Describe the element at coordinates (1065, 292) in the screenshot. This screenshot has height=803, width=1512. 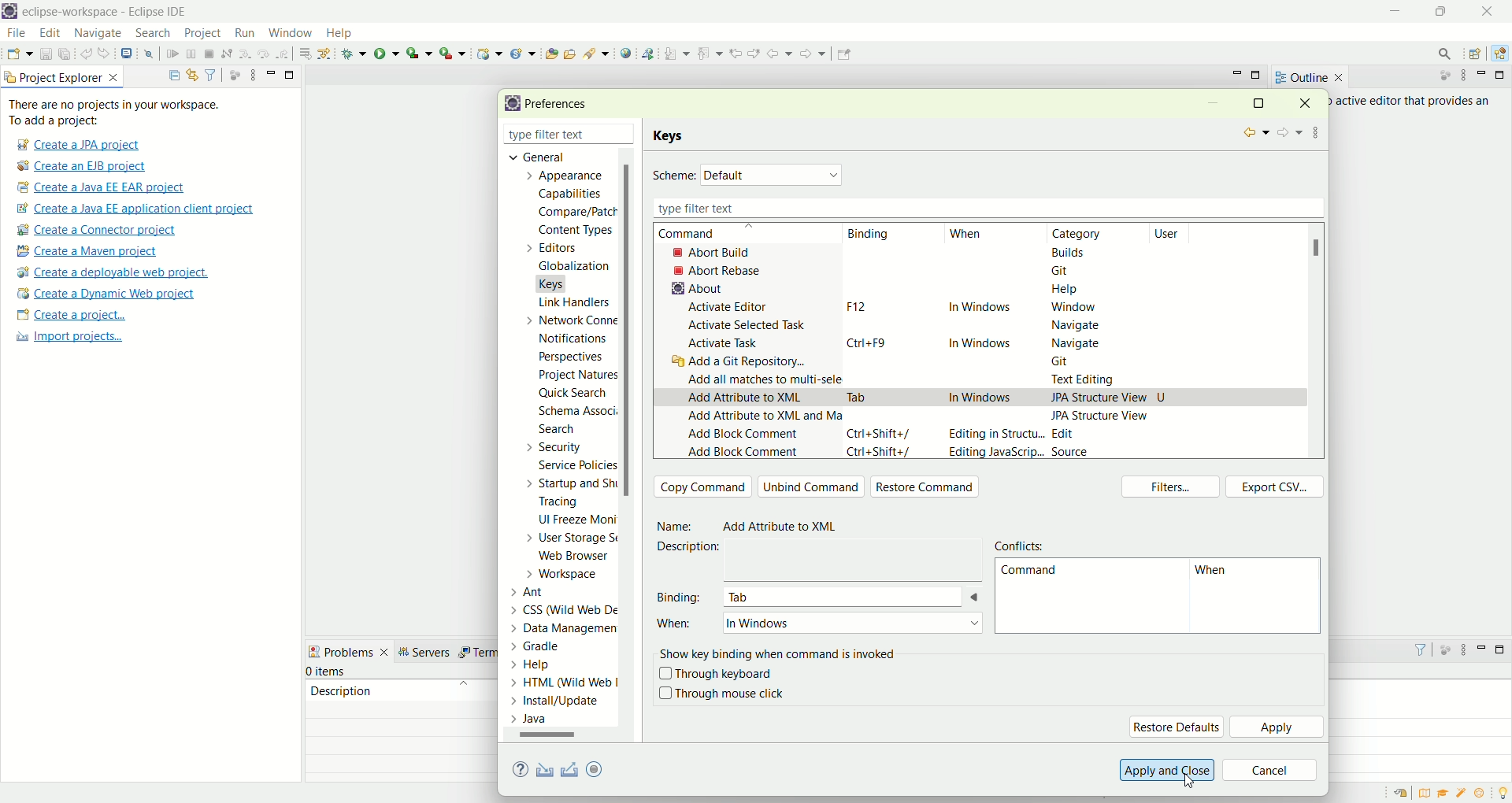
I see `help` at that location.